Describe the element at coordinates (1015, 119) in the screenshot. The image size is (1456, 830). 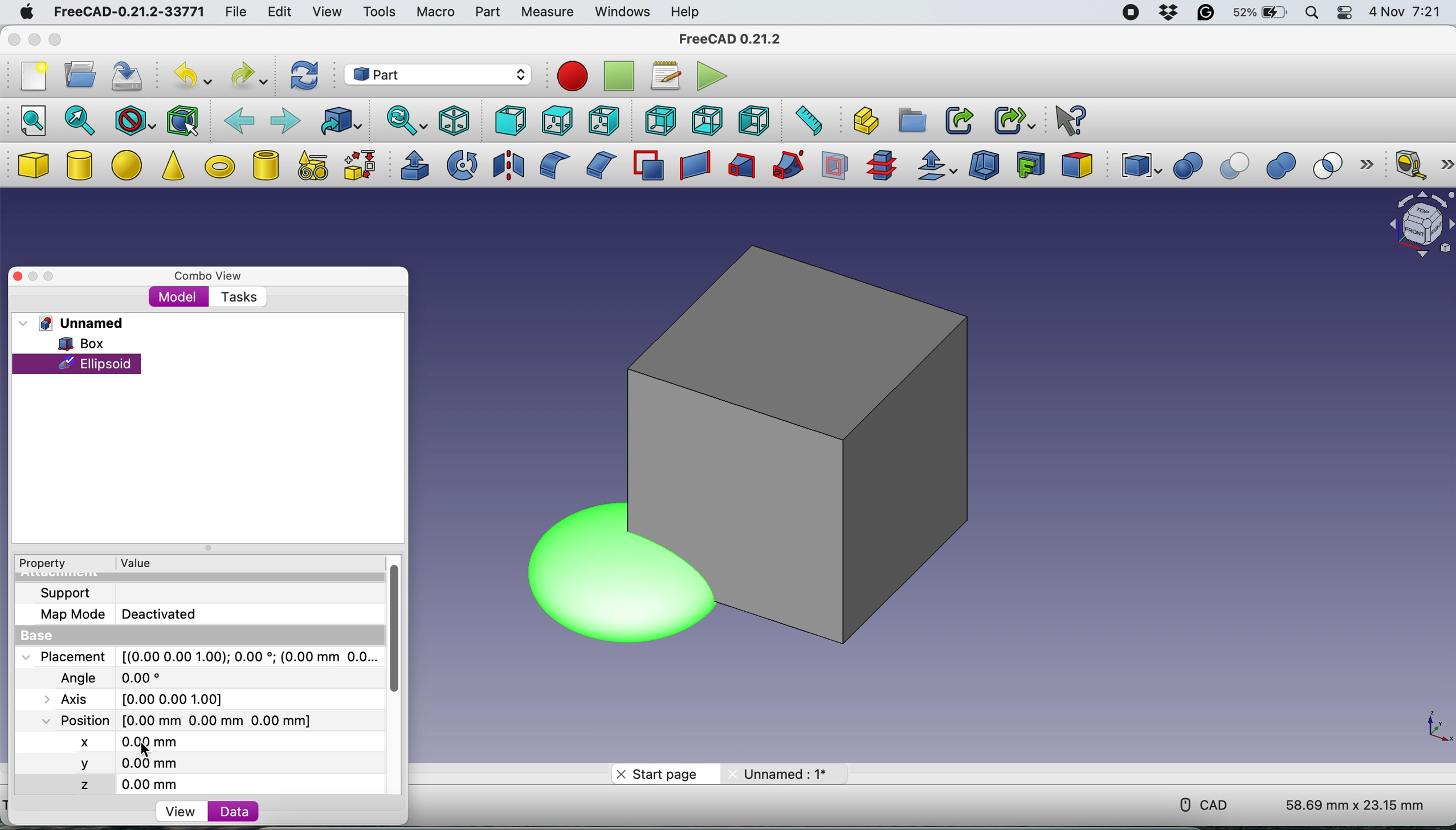
I see `make sub link` at that location.